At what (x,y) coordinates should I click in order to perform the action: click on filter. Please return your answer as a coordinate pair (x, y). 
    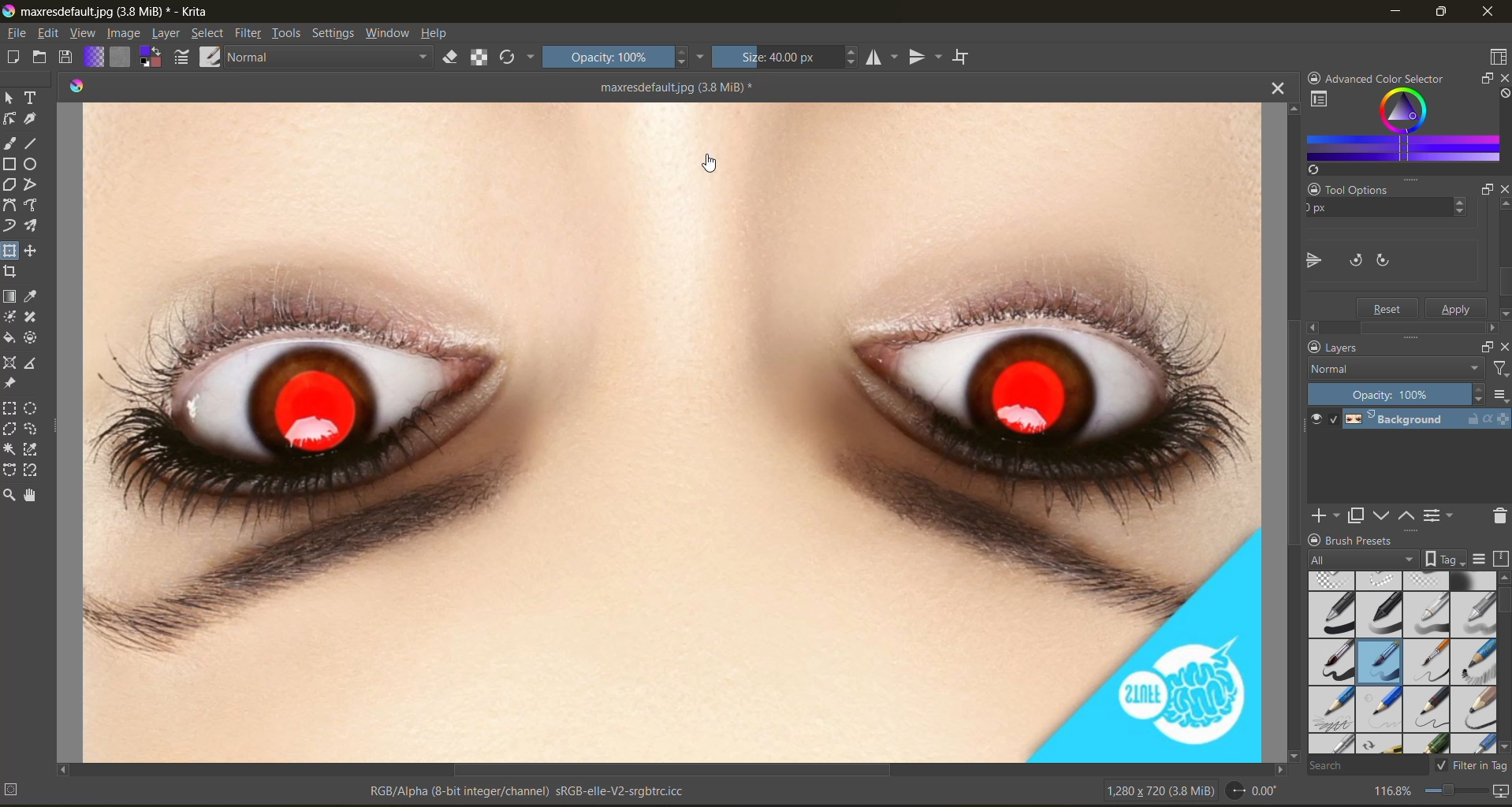
    Looking at the image, I should click on (251, 32).